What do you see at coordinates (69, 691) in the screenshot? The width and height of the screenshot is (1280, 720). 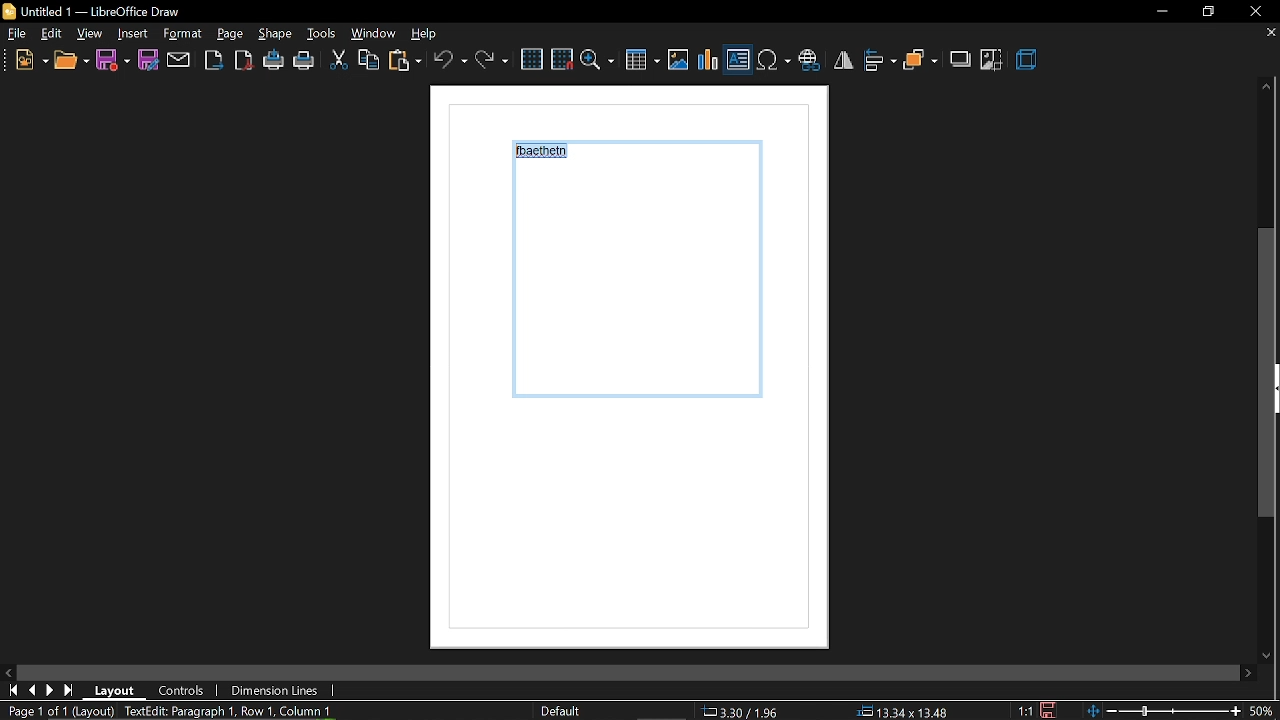 I see `go to last page` at bounding box center [69, 691].